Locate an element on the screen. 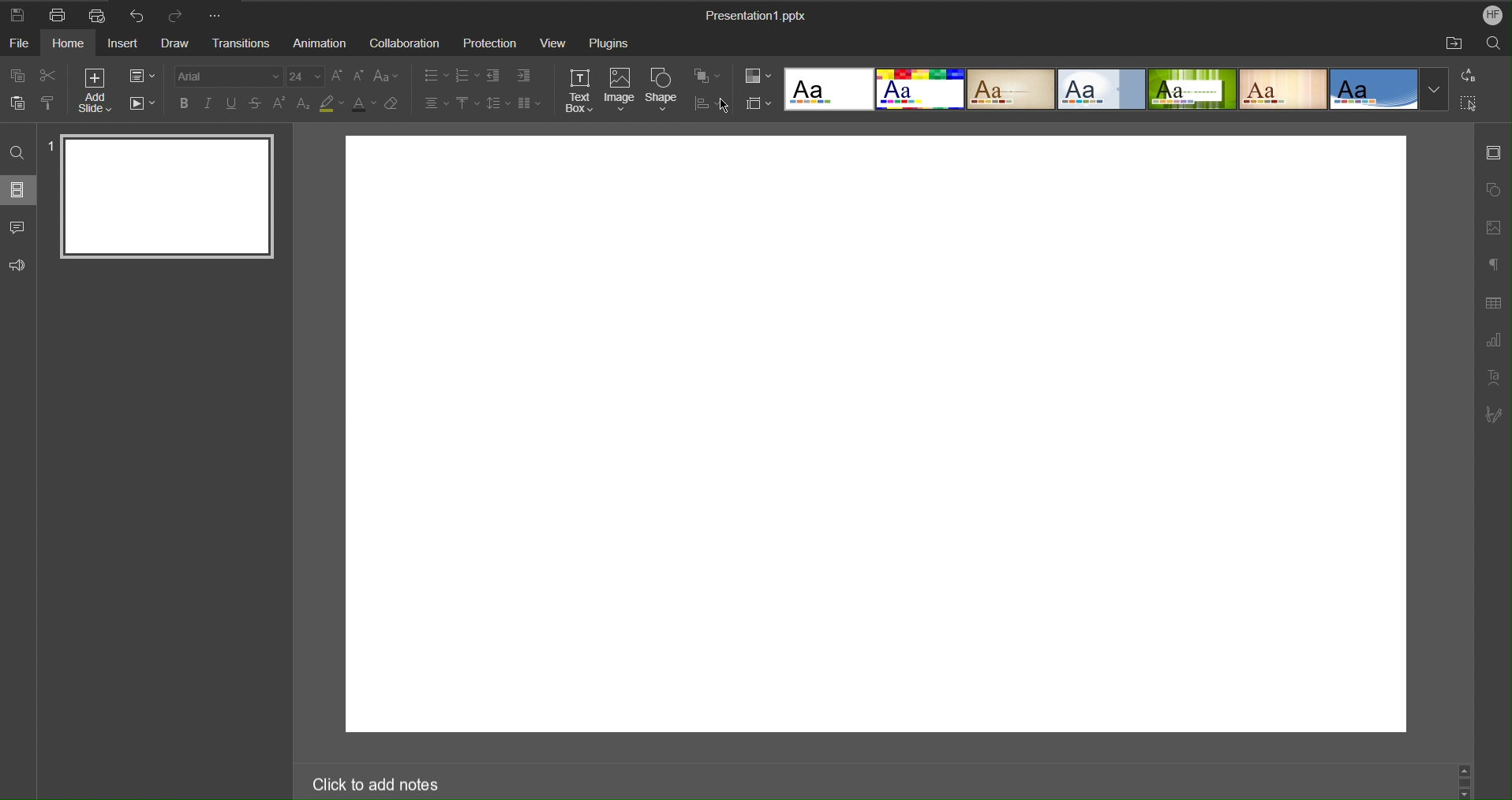  More is located at coordinates (217, 14).